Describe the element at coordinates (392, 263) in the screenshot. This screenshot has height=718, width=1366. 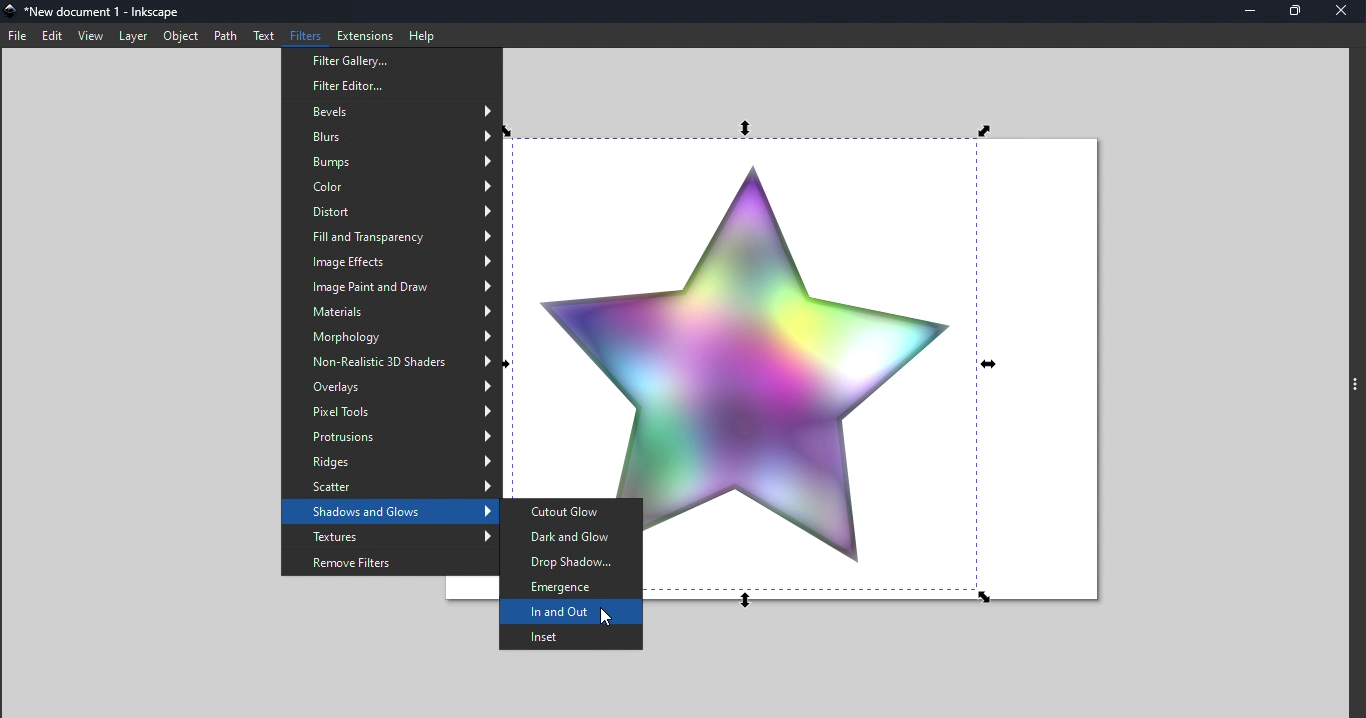
I see `Image effects` at that location.